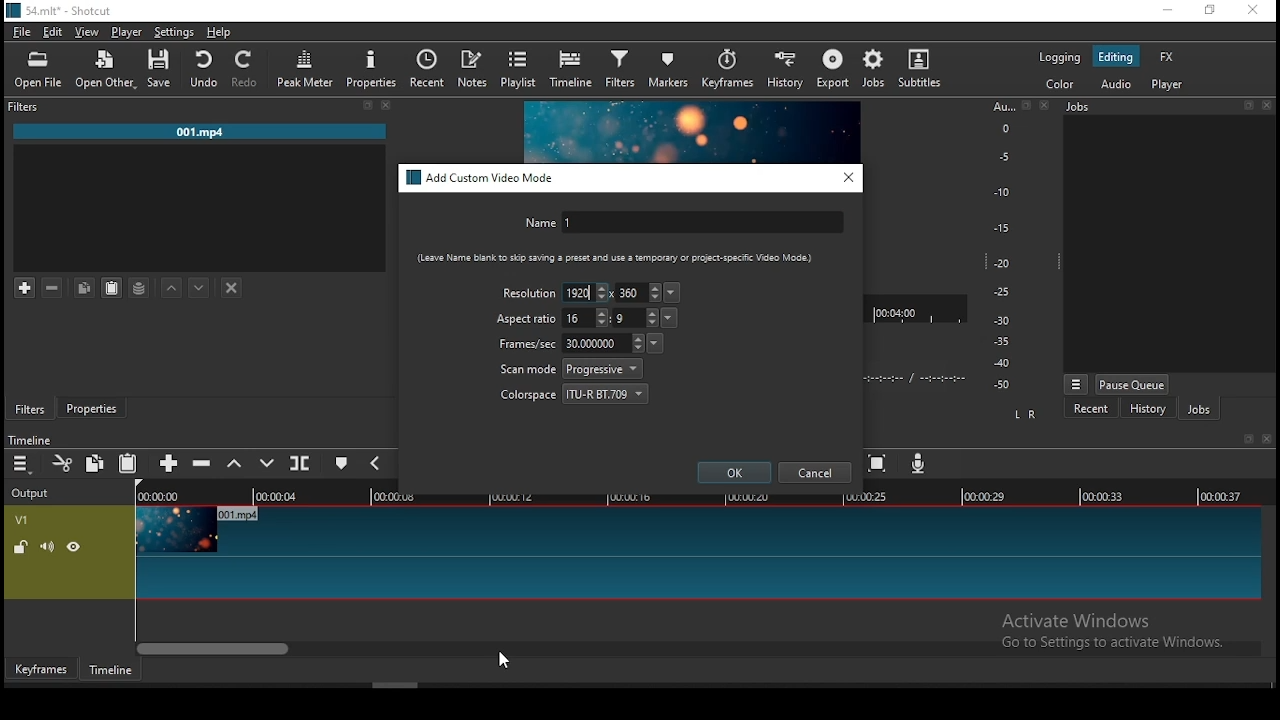  Describe the element at coordinates (84, 287) in the screenshot. I see `copy` at that location.